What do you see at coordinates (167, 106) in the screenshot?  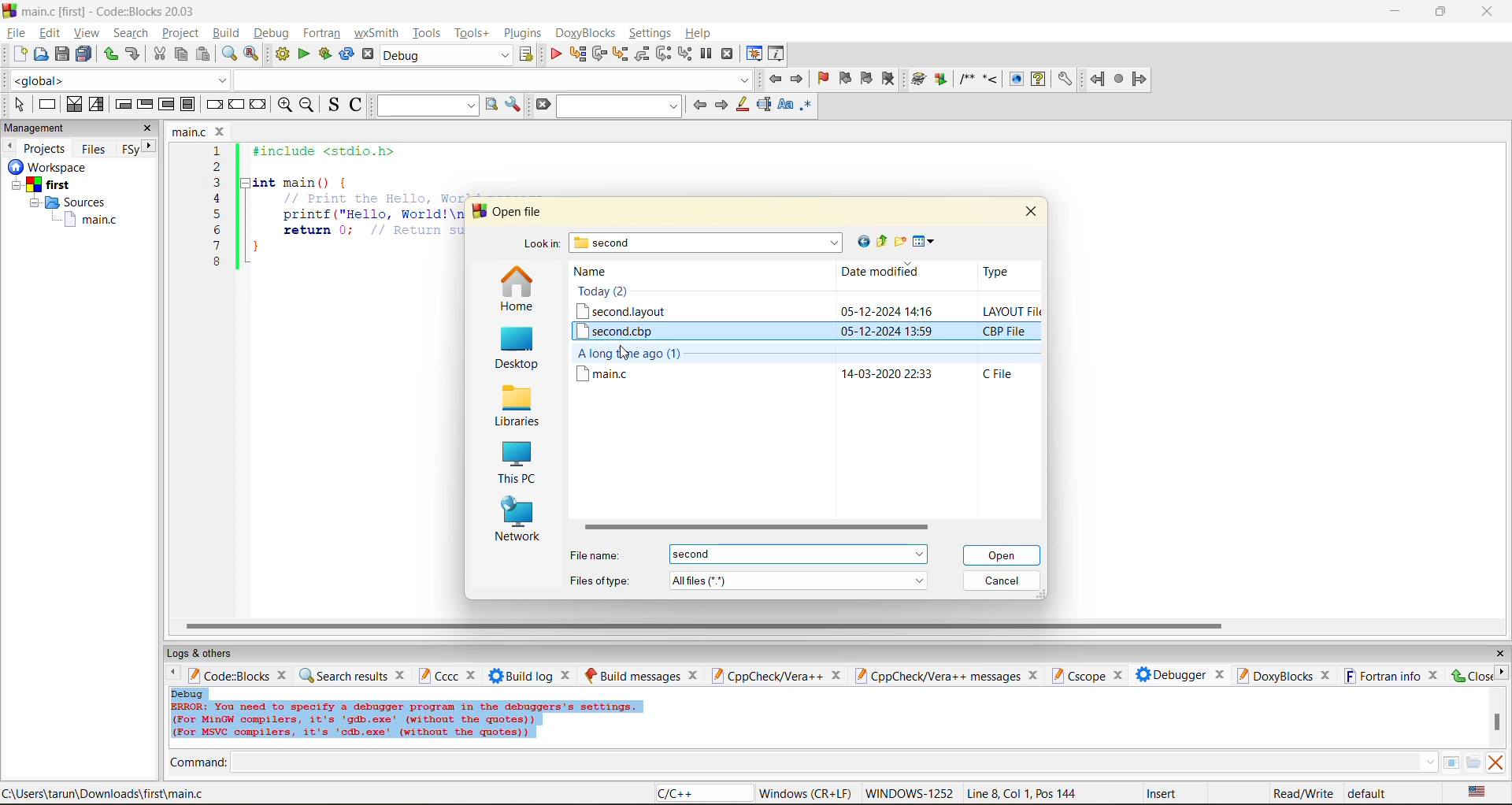 I see `counting loop` at bounding box center [167, 106].